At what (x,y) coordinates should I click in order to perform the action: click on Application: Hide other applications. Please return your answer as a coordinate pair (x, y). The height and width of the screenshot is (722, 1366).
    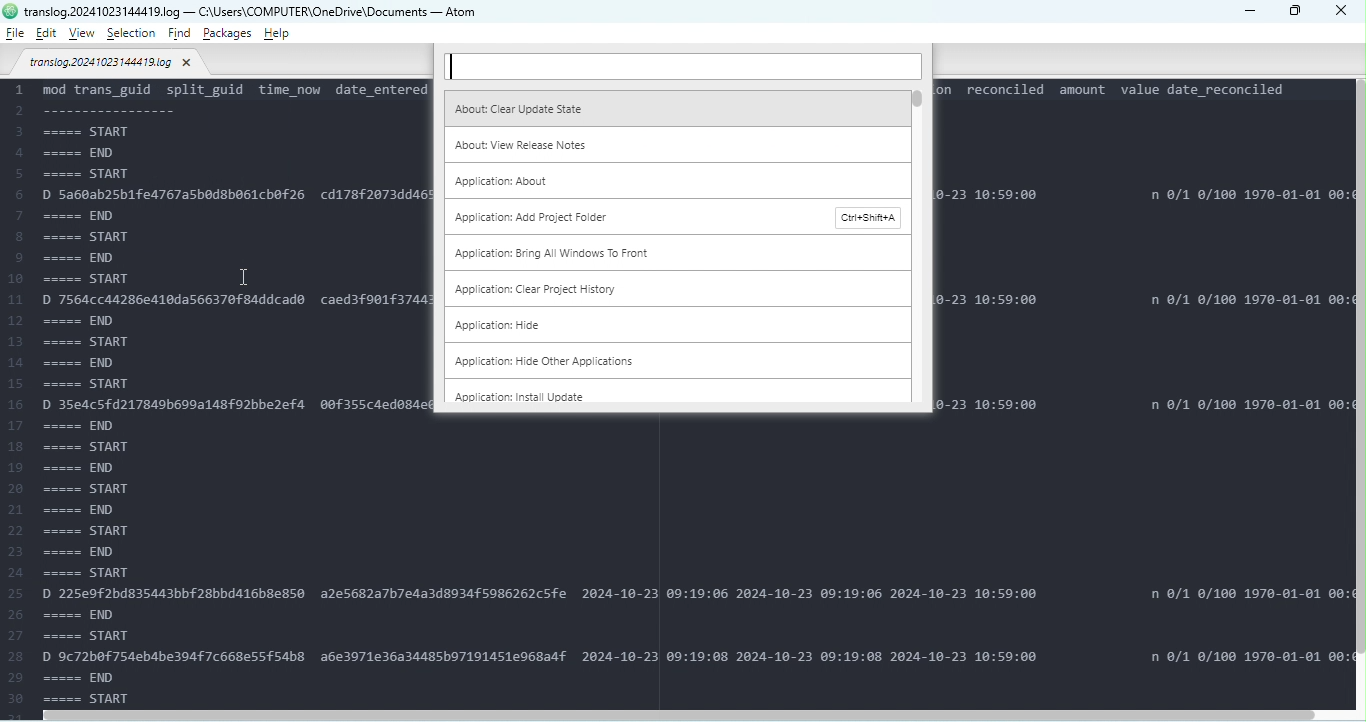
    Looking at the image, I should click on (650, 361).